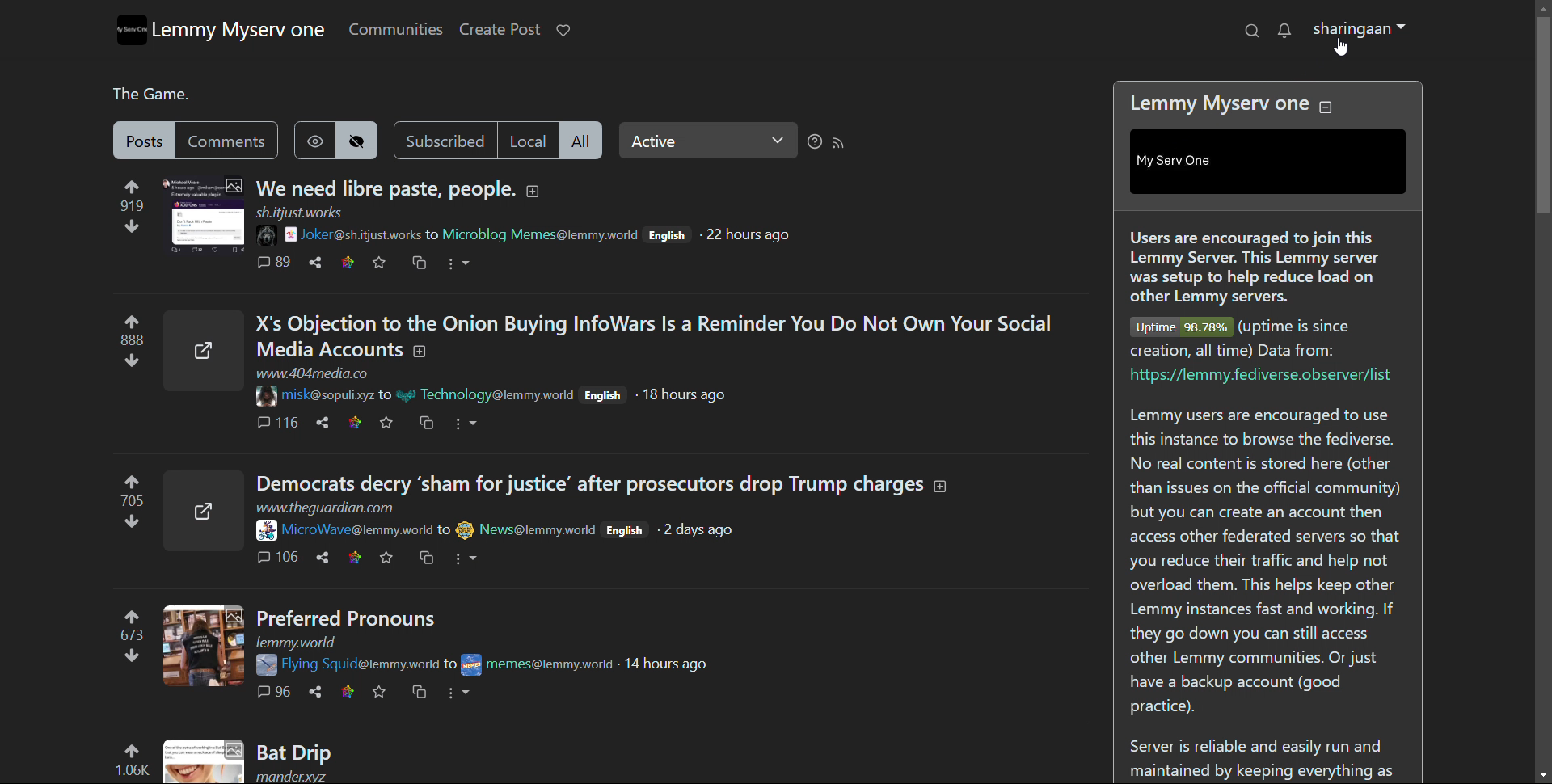 This screenshot has width=1552, height=784. Describe the element at coordinates (605, 483) in the screenshot. I see `Democrats decry ‘sham for justice’ after prosecutors drop Trump charges` at that location.